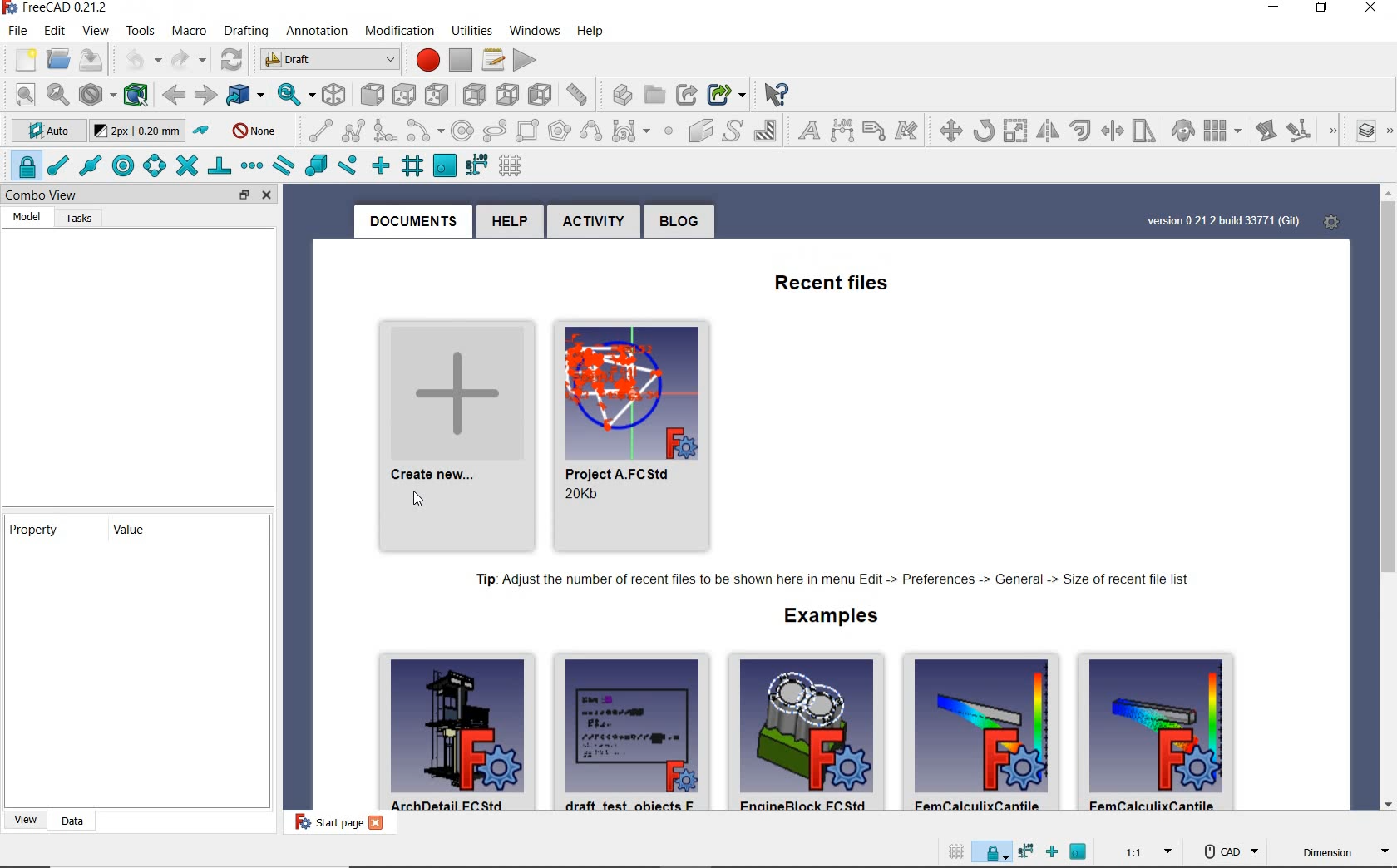  What do you see at coordinates (91, 93) in the screenshot?
I see `draw style` at bounding box center [91, 93].